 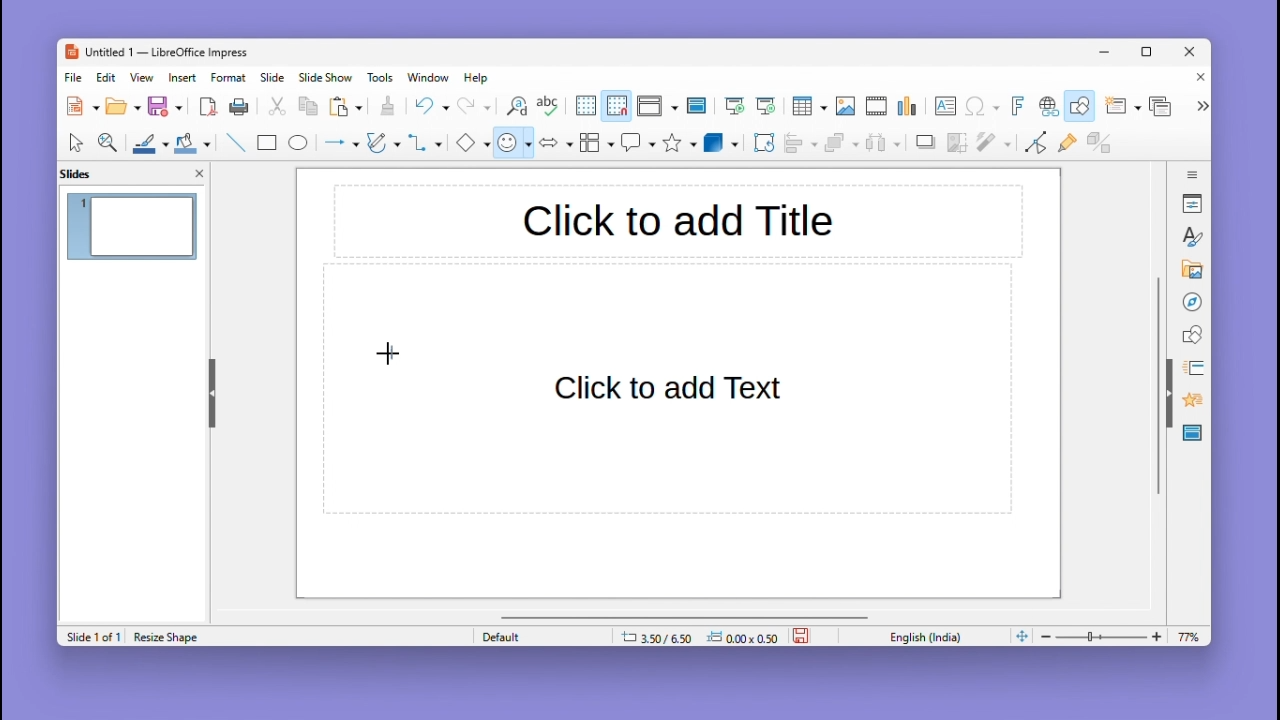 I want to click on Font work, so click(x=1016, y=106).